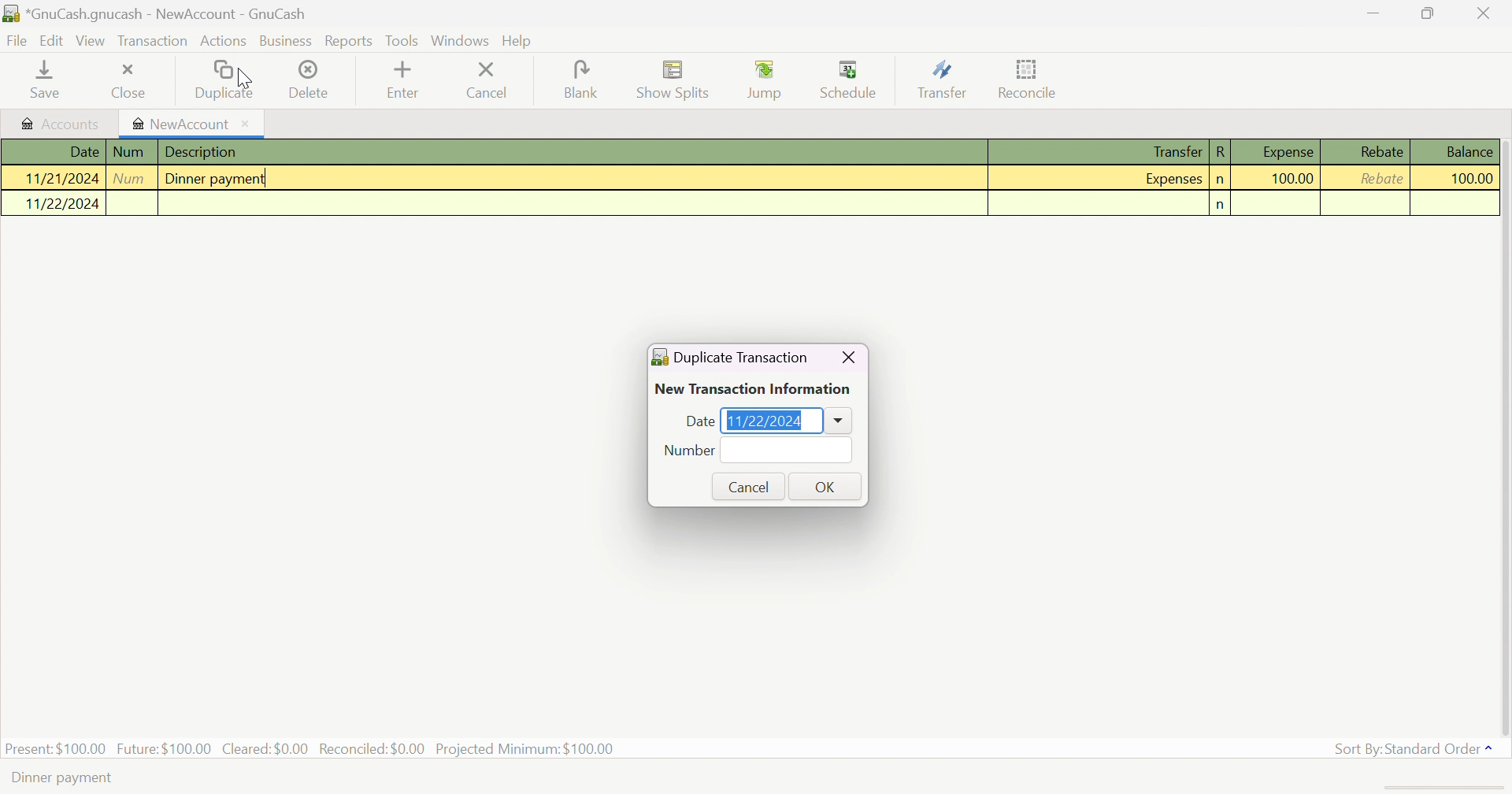  Describe the element at coordinates (59, 123) in the screenshot. I see `Accounts` at that location.